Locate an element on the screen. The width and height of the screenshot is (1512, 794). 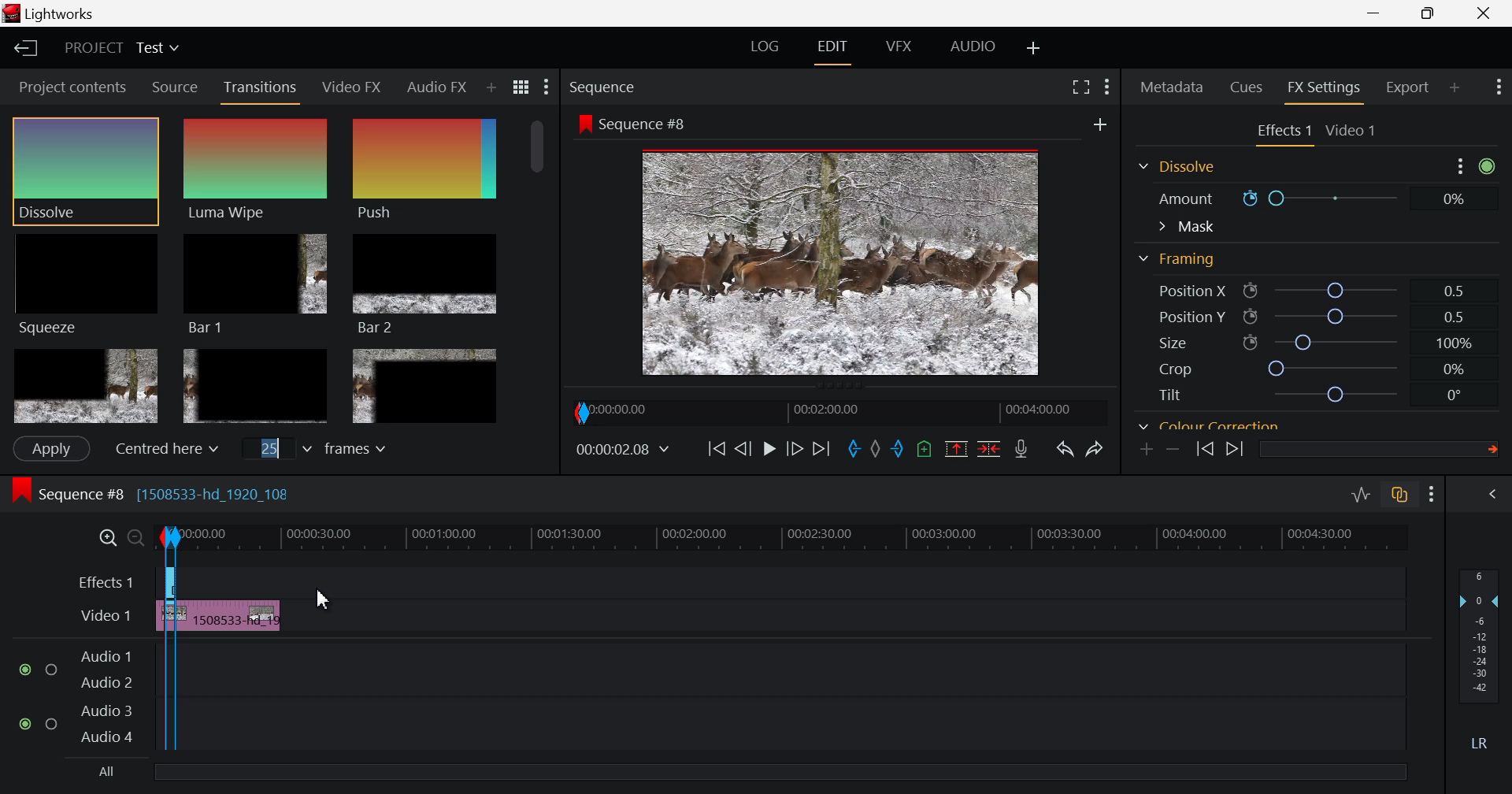
Show settings is located at coordinates (1107, 87).